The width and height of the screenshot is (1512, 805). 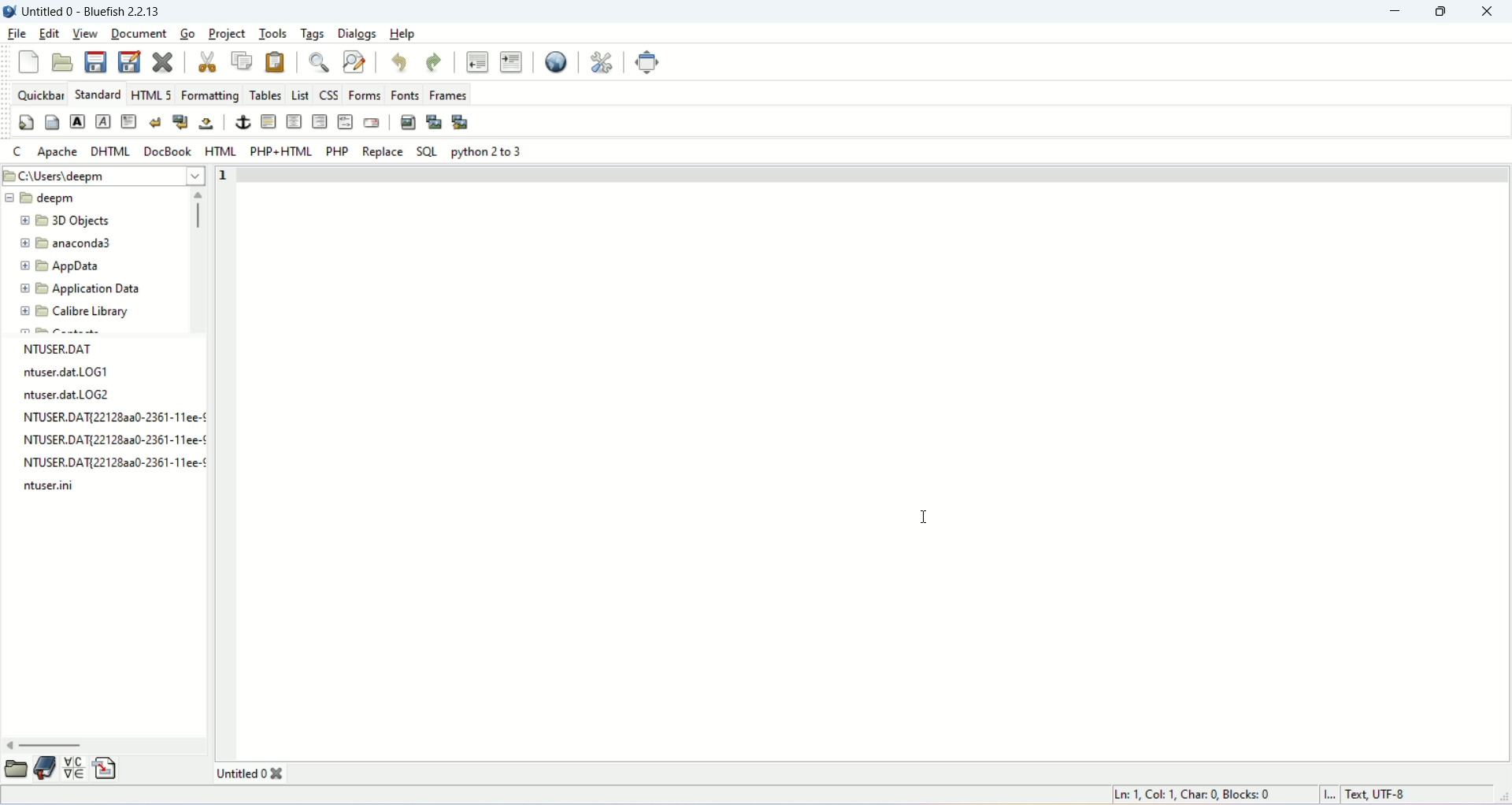 I want to click on go, so click(x=186, y=34).